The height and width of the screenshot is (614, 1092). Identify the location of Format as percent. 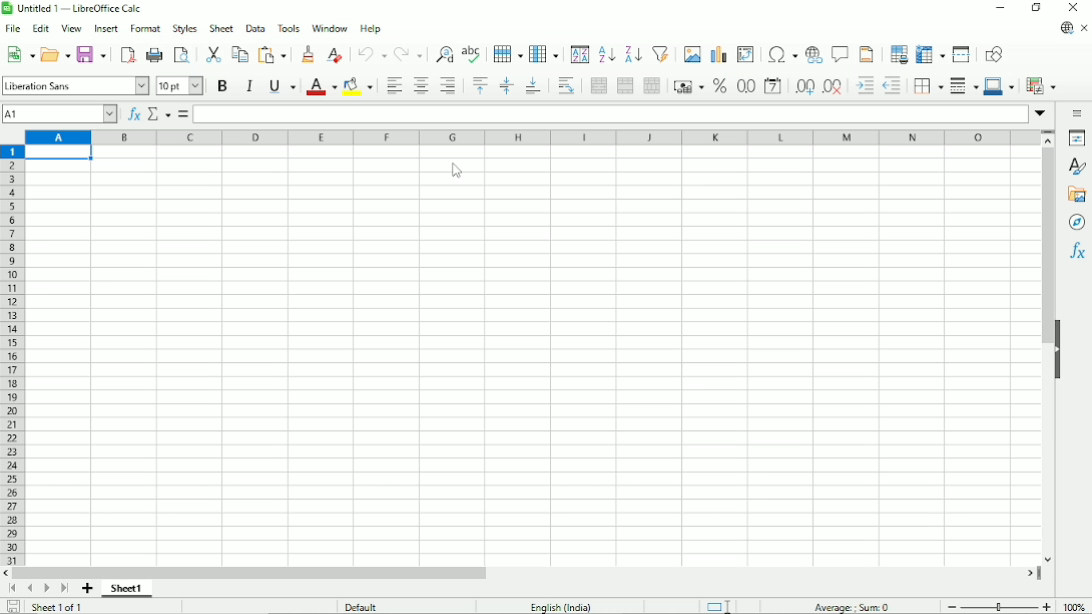
(719, 86).